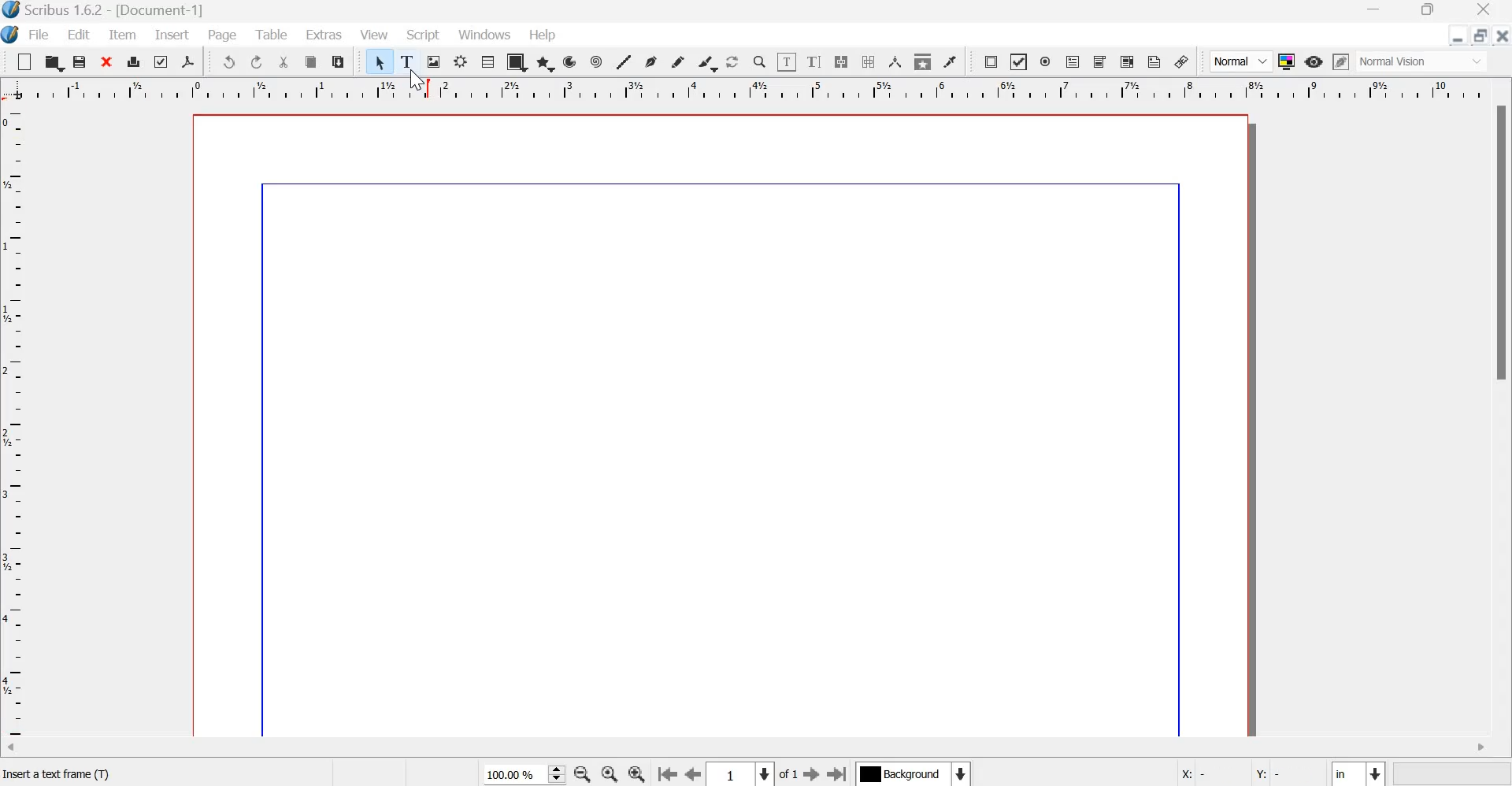  I want to click on , so click(271, 35).